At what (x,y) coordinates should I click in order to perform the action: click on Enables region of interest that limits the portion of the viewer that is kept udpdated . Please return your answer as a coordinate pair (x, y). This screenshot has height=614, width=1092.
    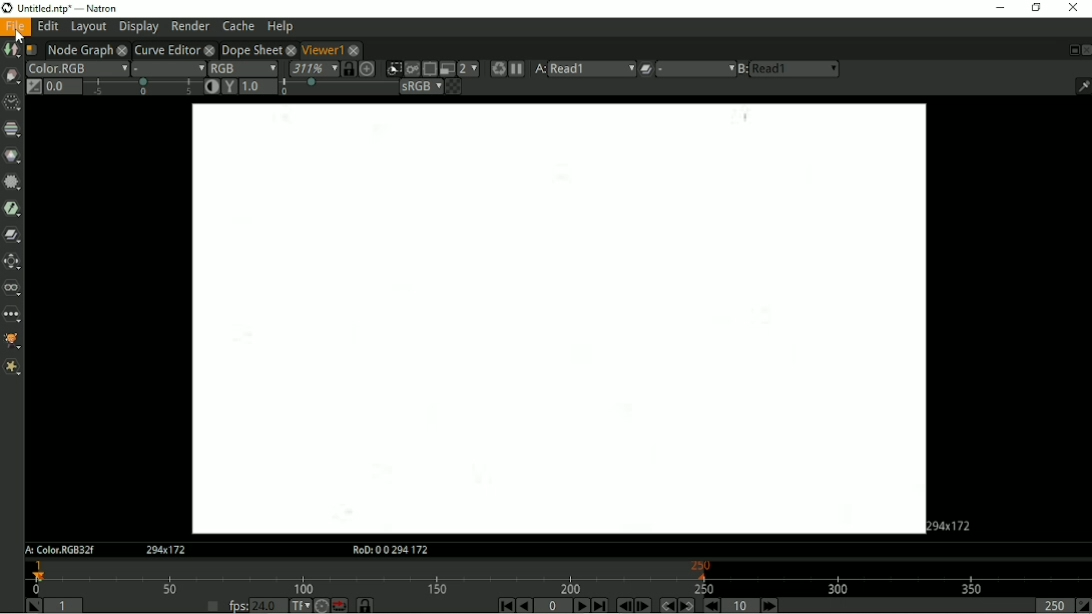
    Looking at the image, I should click on (429, 68).